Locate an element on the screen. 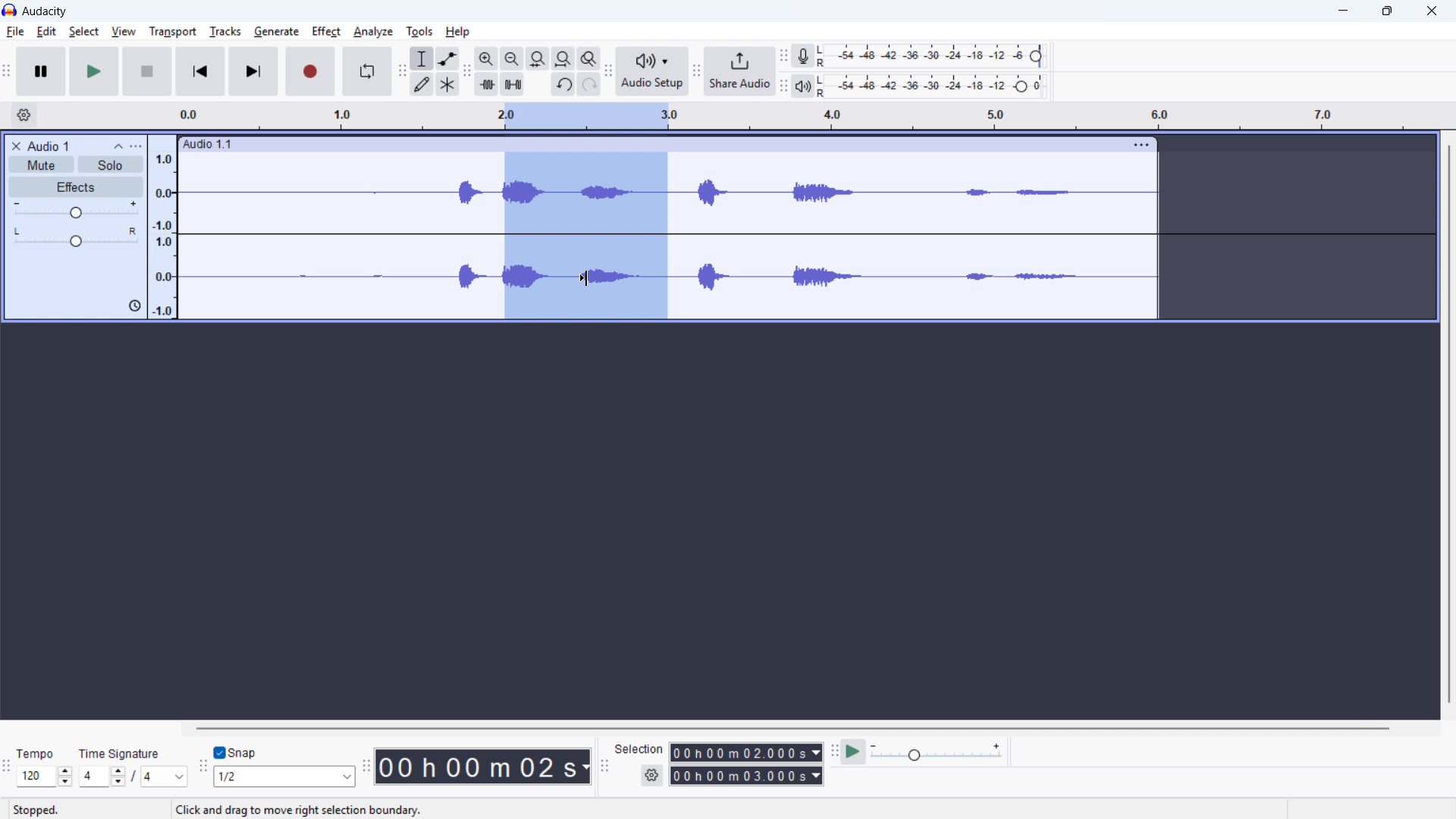 Image resolution: width=1456 pixels, height=819 pixels. Transport is located at coordinates (173, 32).